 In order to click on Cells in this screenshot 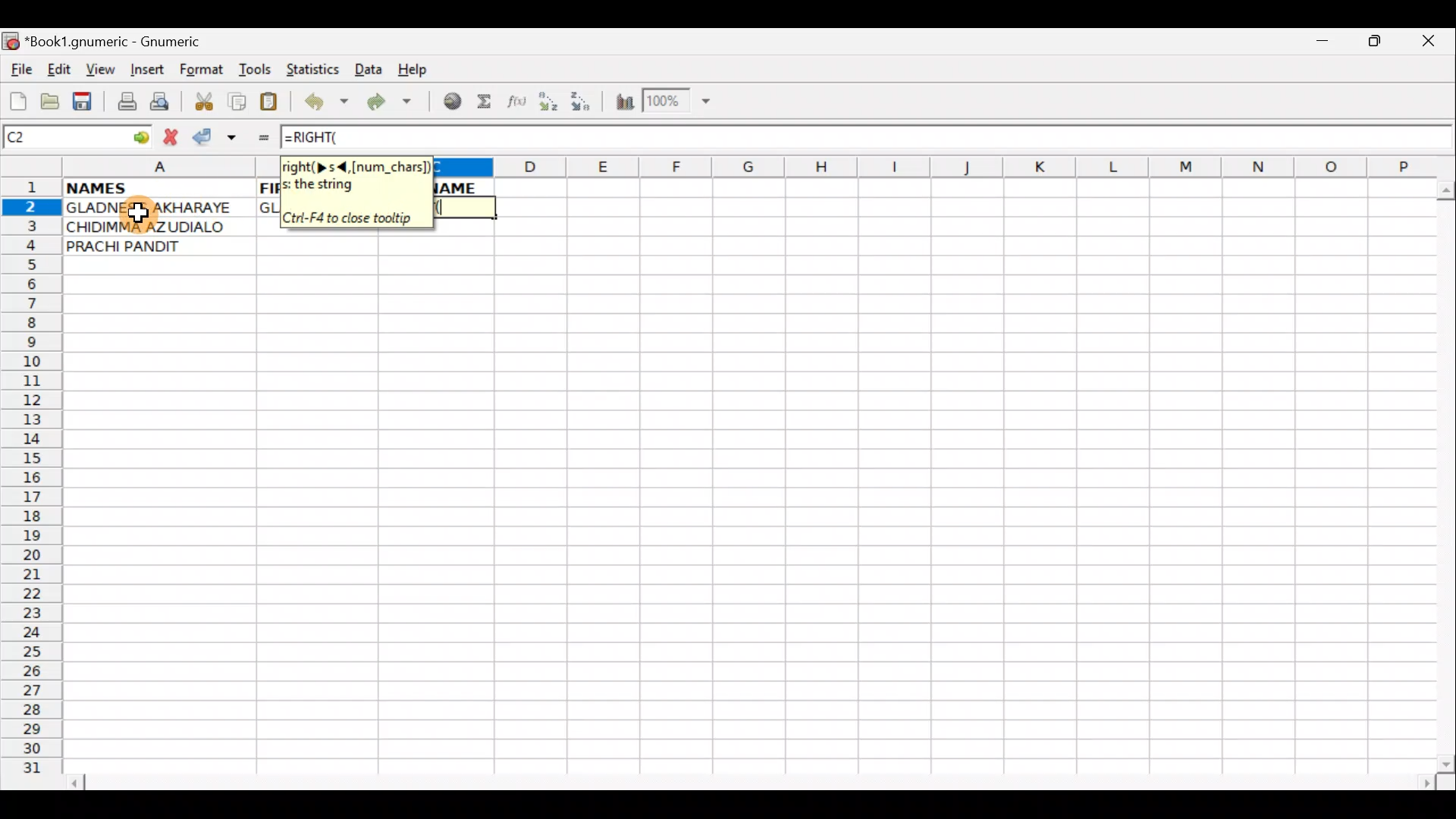, I will do `click(750, 528)`.